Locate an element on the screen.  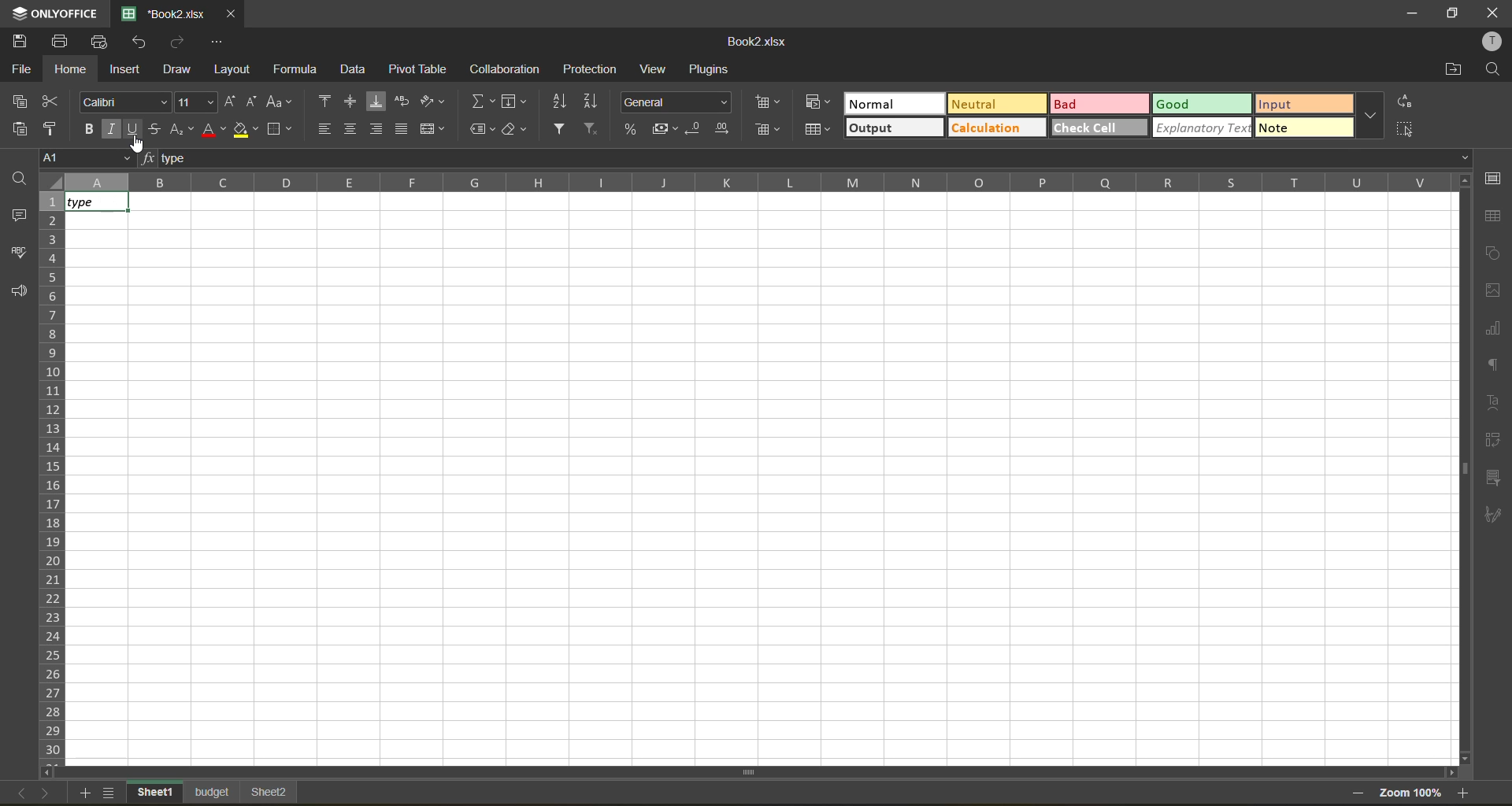
remove cells is located at coordinates (766, 129).